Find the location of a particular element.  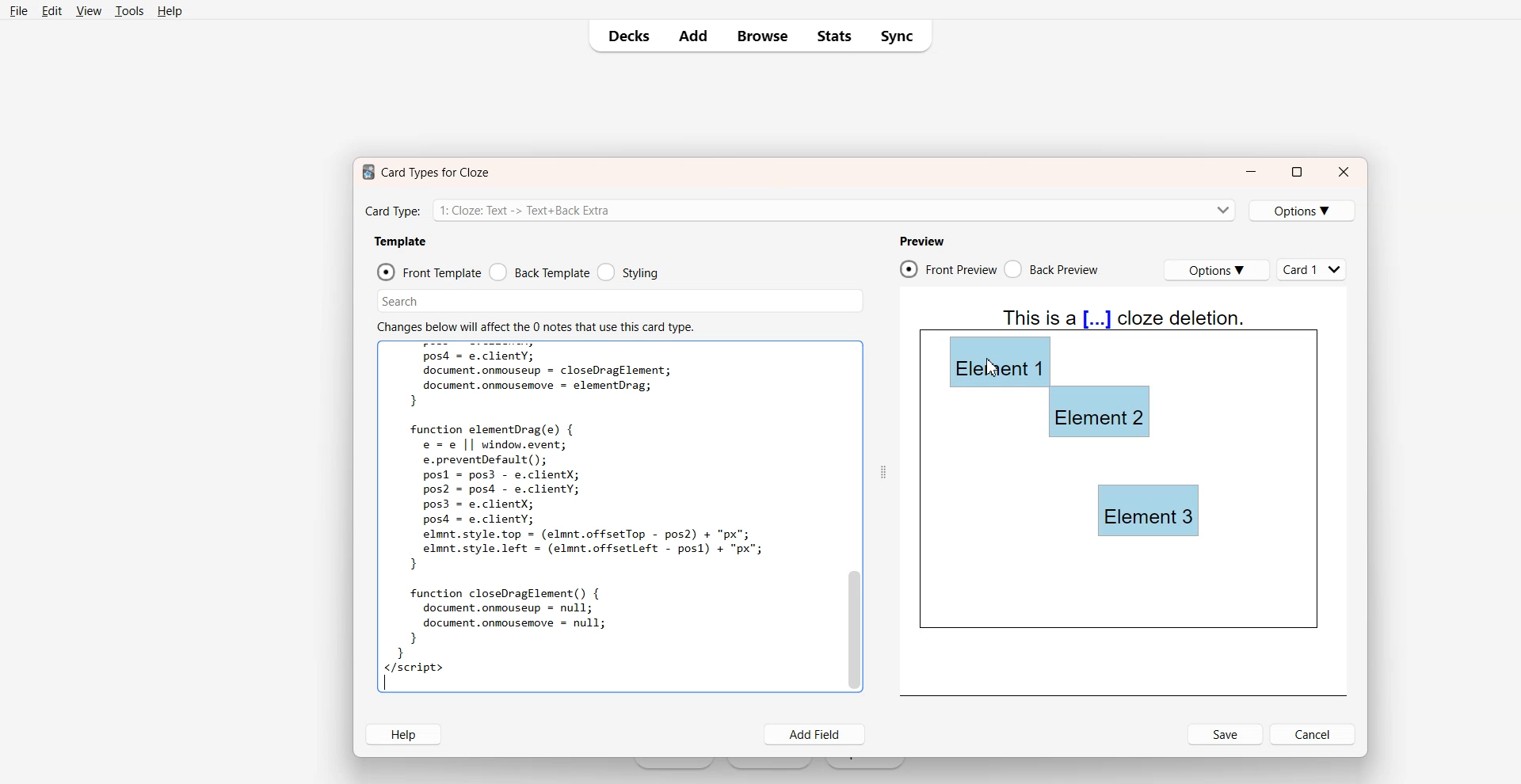

Options is located at coordinates (1303, 211).